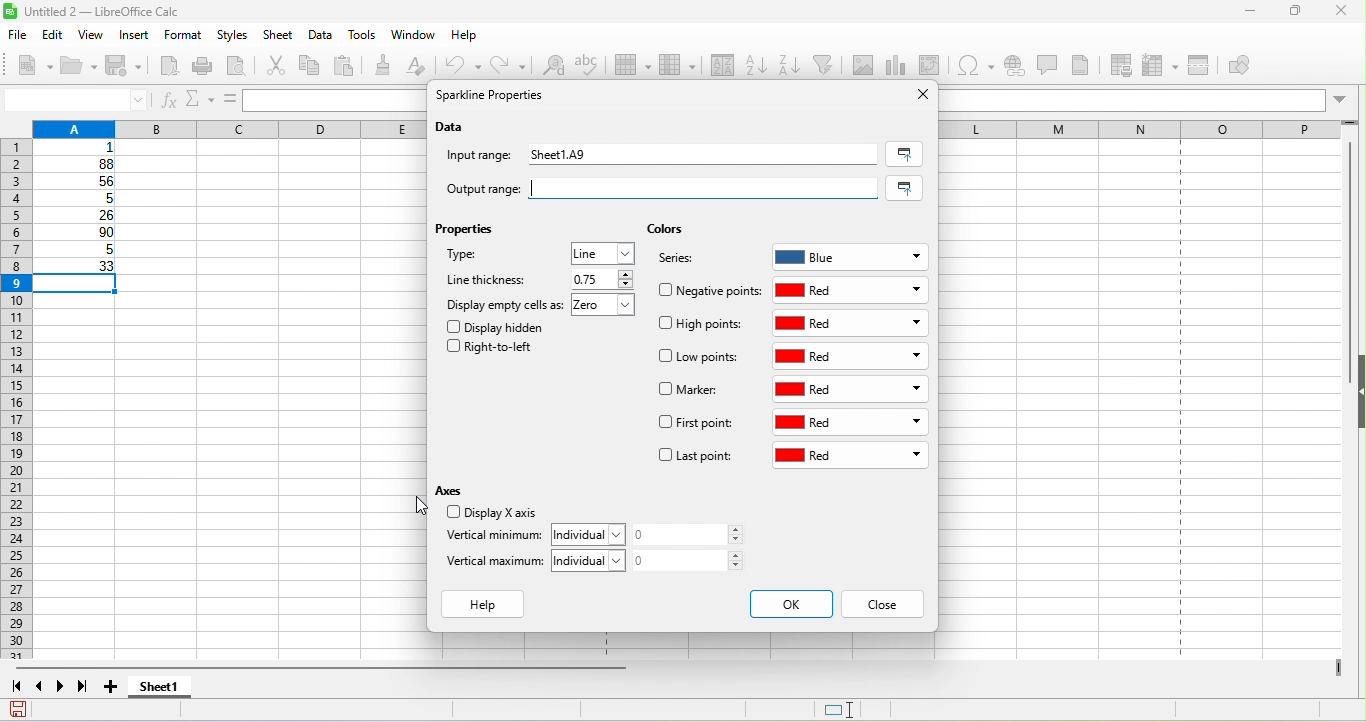 The image size is (1366, 722). I want to click on blue, so click(851, 254).